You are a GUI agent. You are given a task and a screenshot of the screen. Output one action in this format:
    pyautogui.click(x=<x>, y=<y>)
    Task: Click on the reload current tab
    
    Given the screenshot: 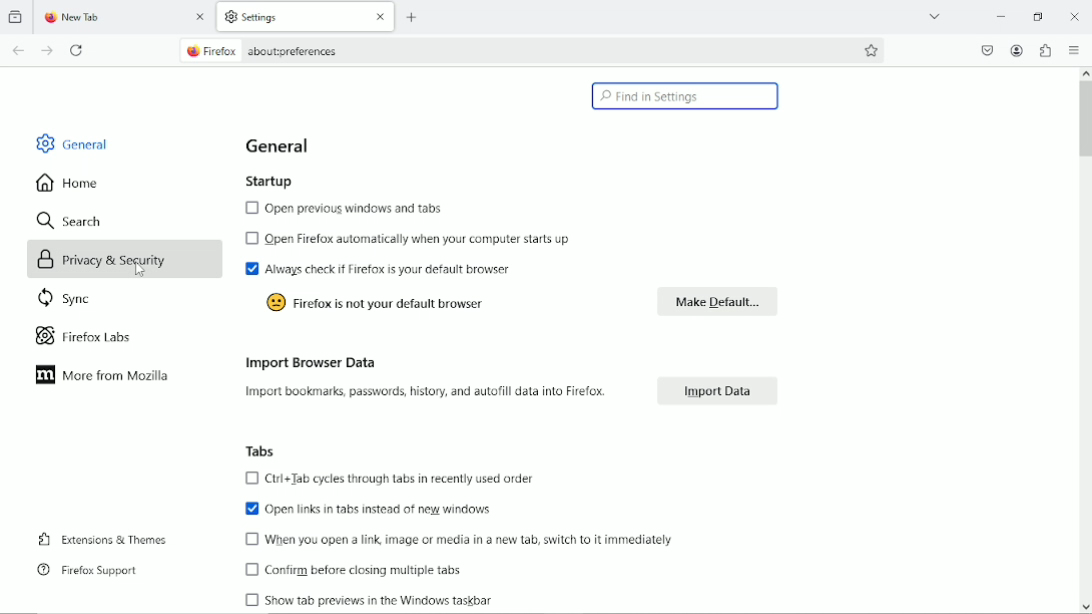 What is the action you would take?
    pyautogui.click(x=78, y=51)
    